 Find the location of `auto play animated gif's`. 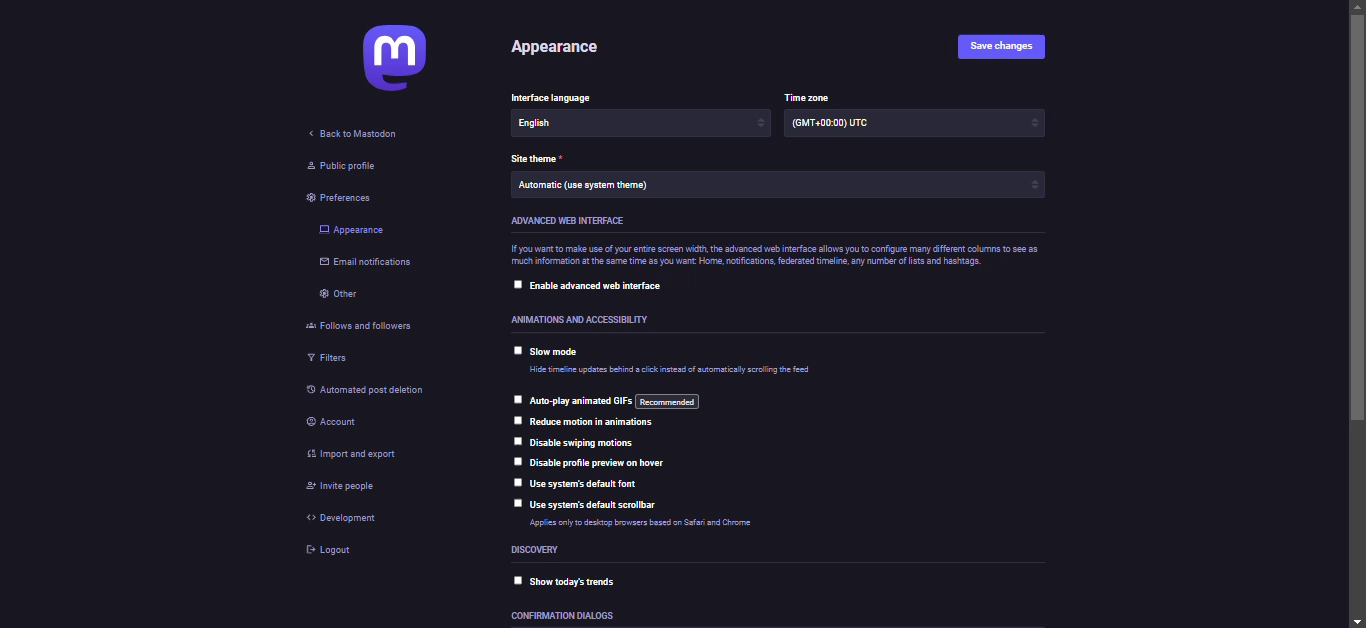

auto play animated gif's is located at coordinates (617, 401).